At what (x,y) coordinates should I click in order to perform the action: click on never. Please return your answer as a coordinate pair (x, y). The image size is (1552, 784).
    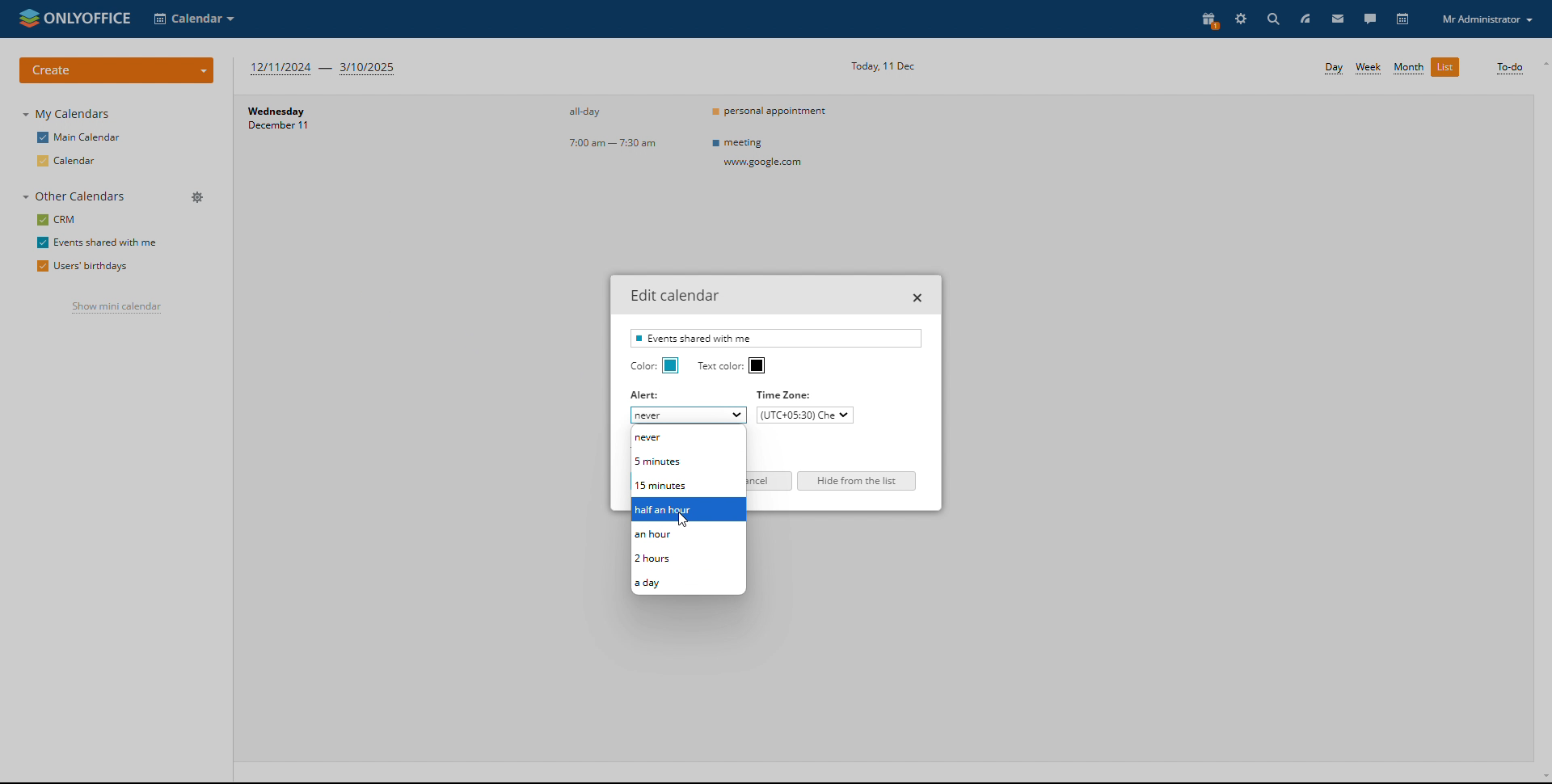
    Looking at the image, I should click on (687, 437).